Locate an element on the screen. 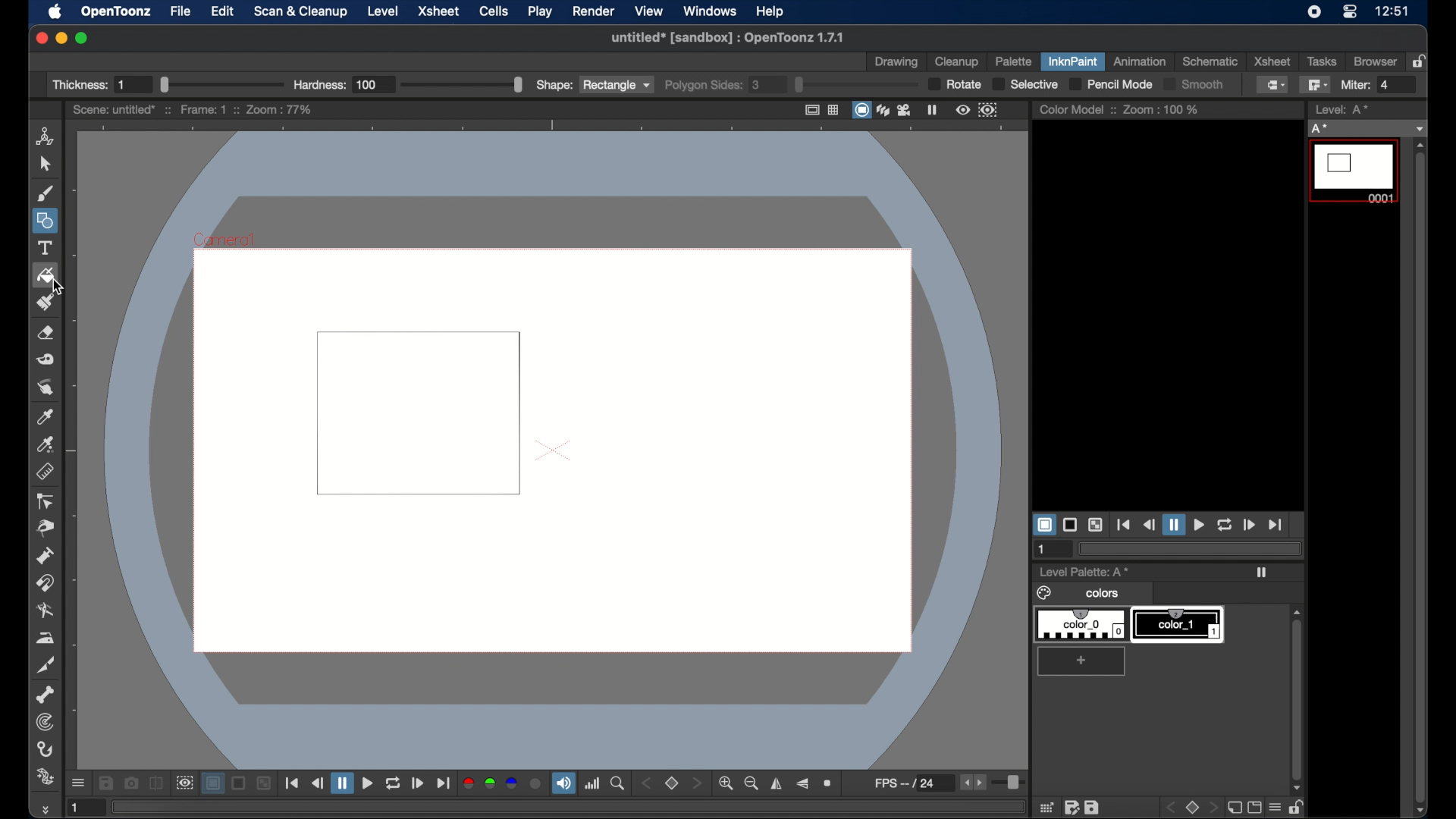 This screenshot has width=1456, height=819. skeleton tool is located at coordinates (45, 695).